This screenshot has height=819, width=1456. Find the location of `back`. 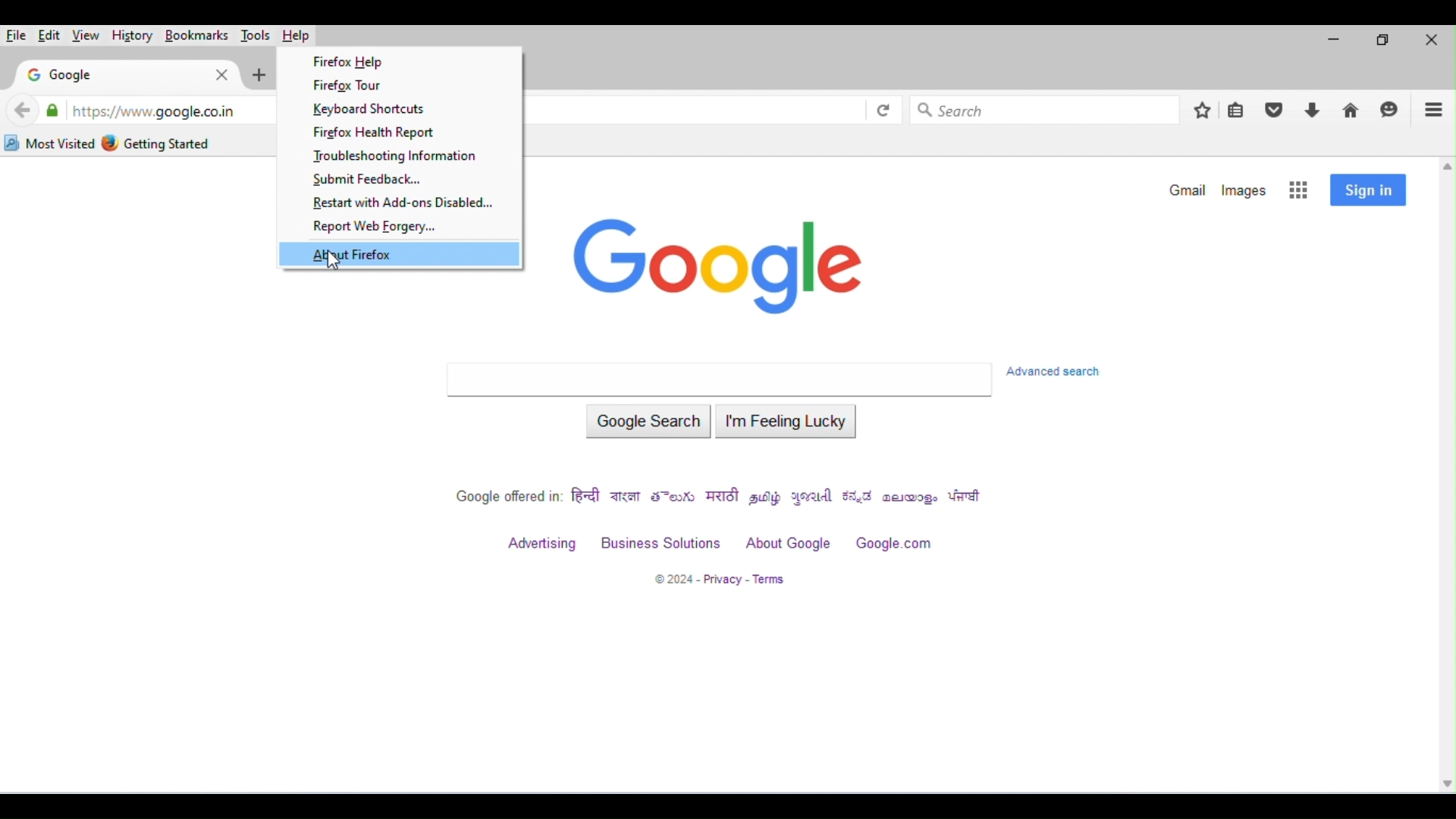

back is located at coordinates (23, 111).